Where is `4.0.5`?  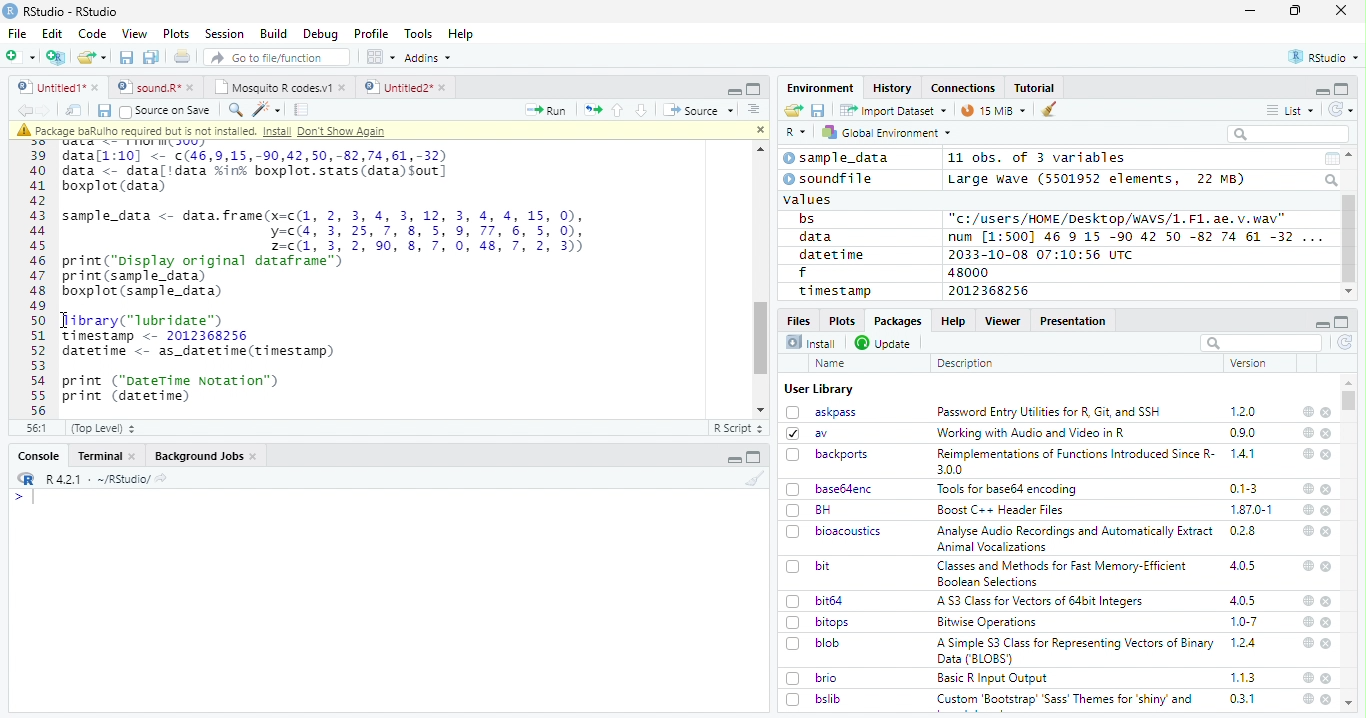 4.0.5 is located at coordinates (1242, 566).